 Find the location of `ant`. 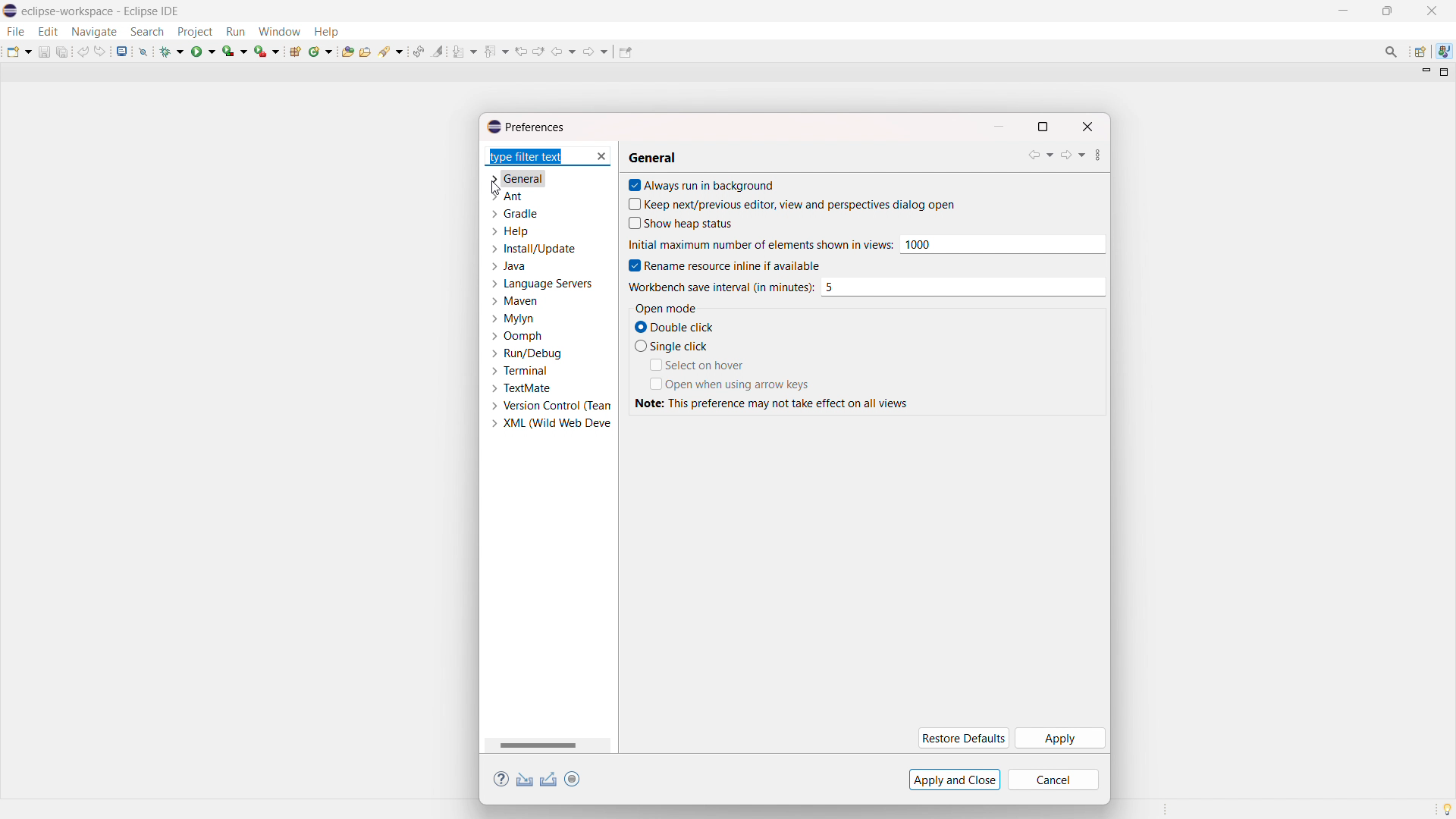

ant is located at coordinates (507, 196).